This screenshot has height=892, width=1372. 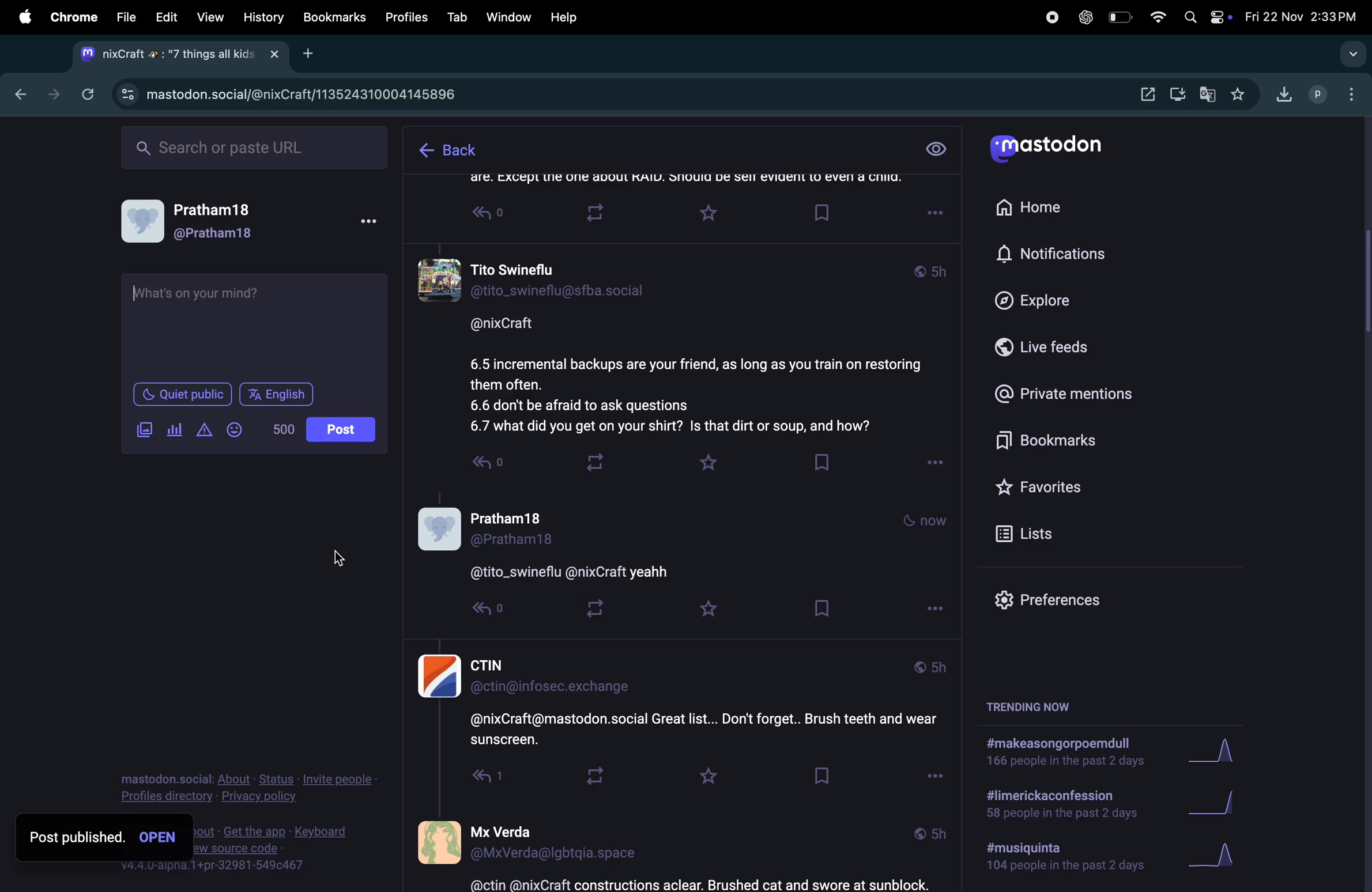 What do you see at coordinates (567, 17) in the screenshot?
I see `help` at bounding box center [567, 17].